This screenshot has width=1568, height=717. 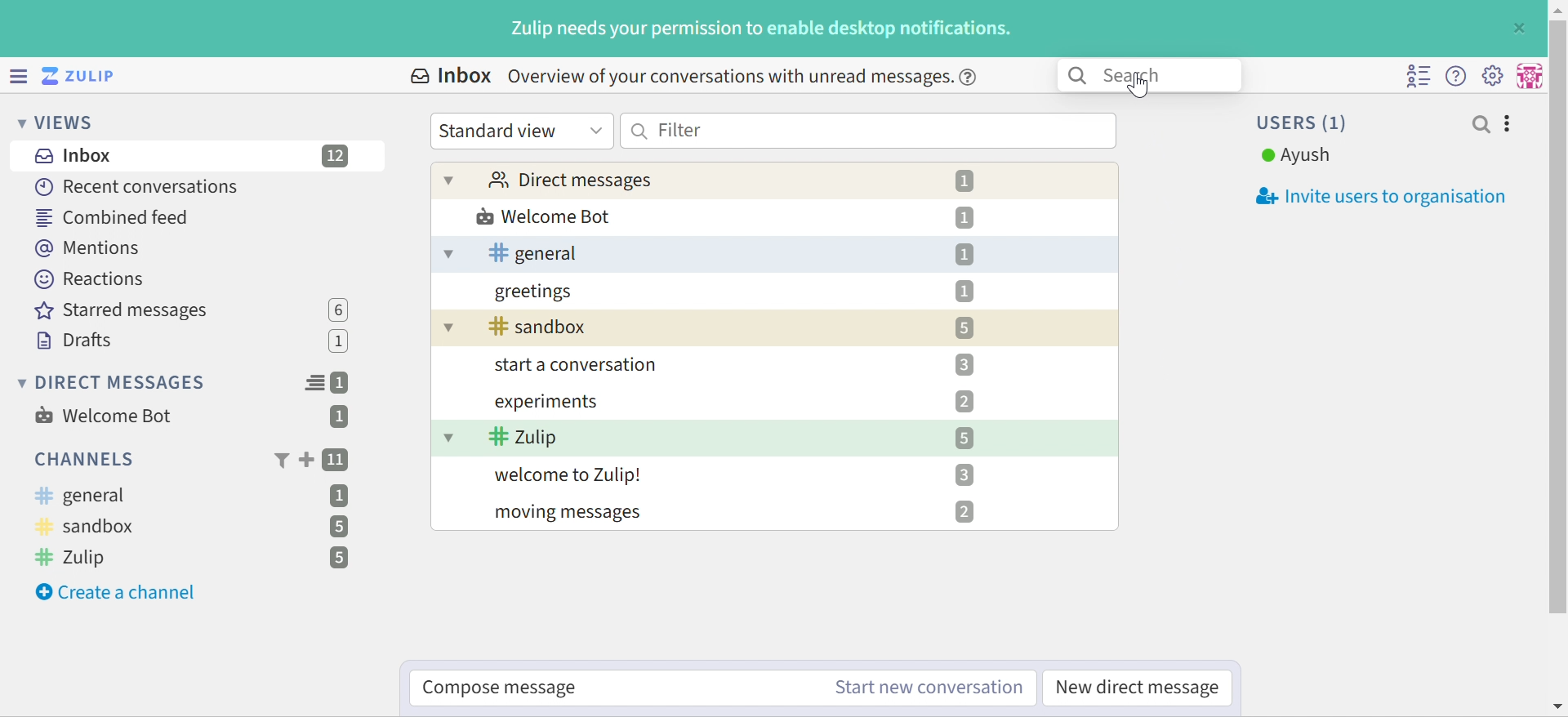 What do you see at coordinates (341, 343) in the screenshot?
I see `1` at bounding box center [341, 343].